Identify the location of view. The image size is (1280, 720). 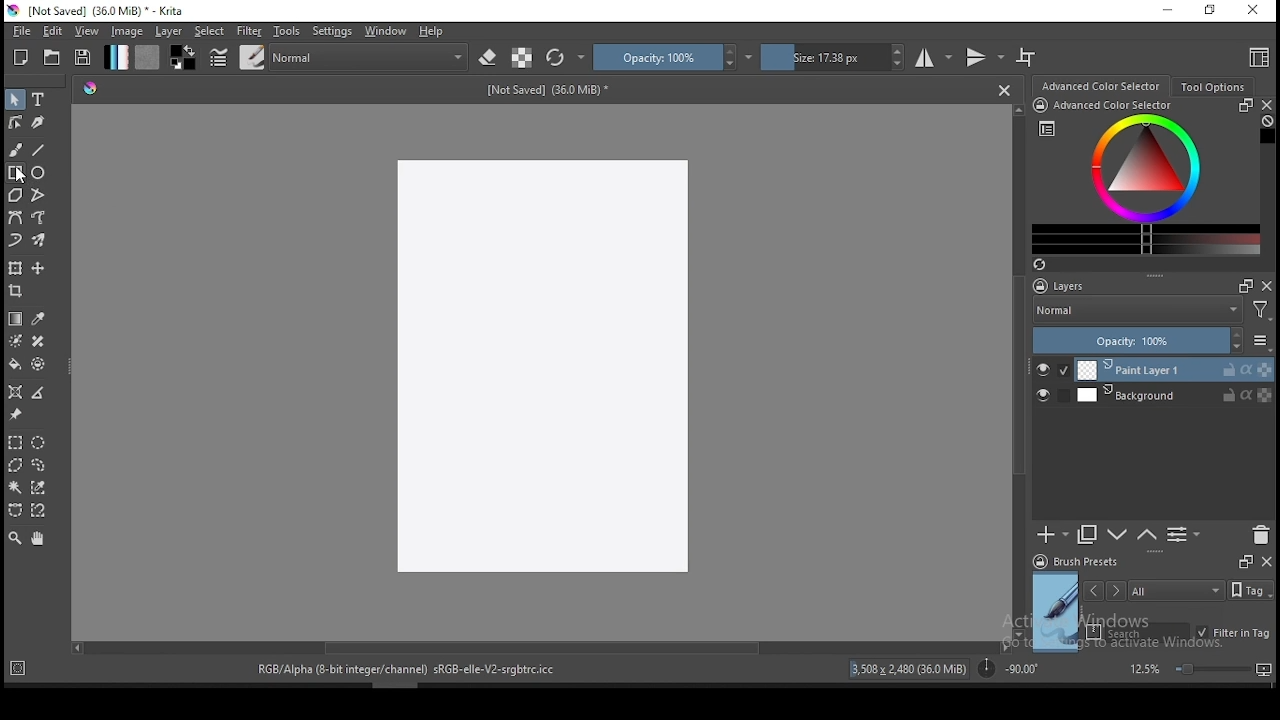
(86, 31).